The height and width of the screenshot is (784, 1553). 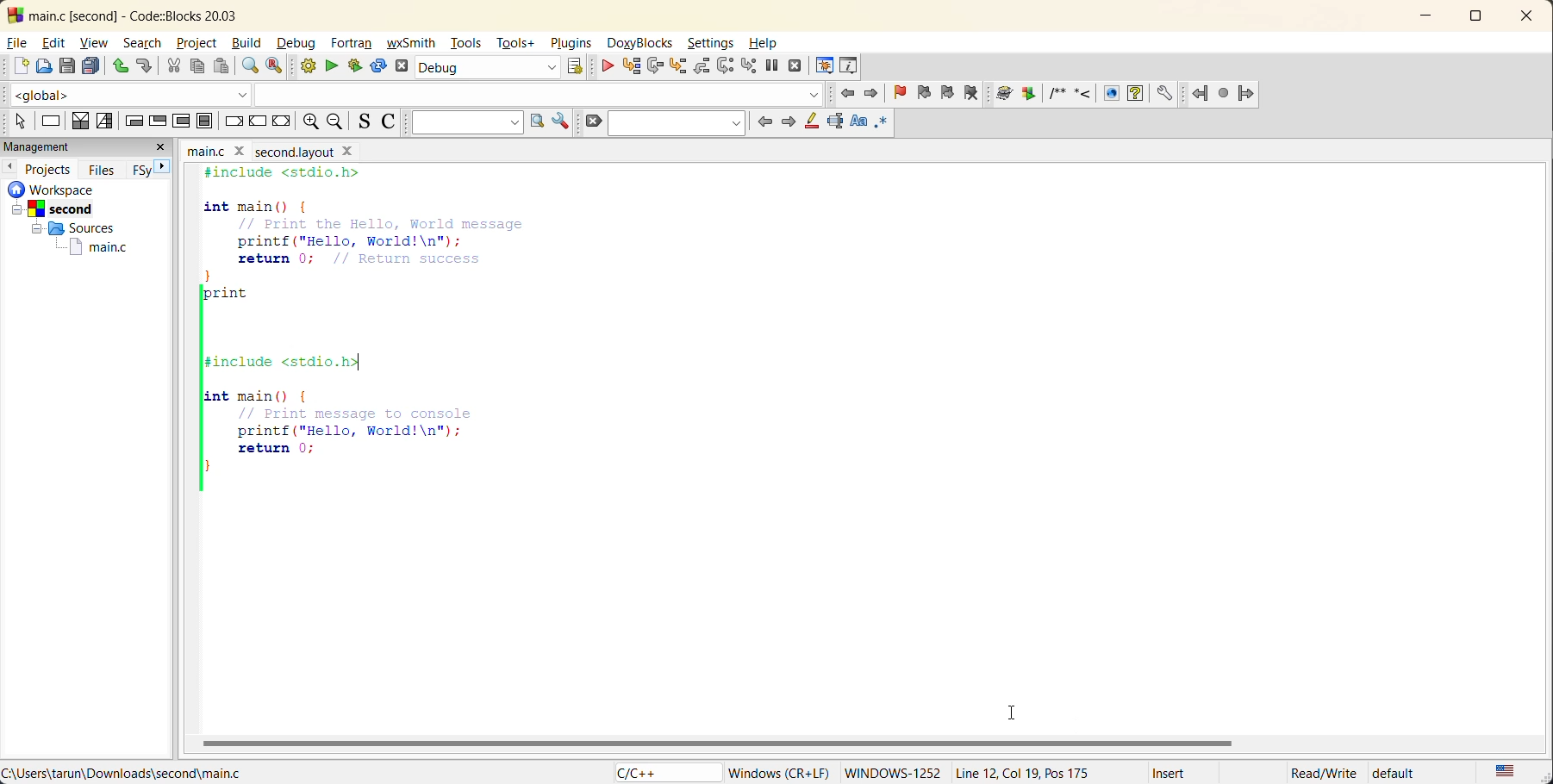 What do you see at coordinates (196, 64) in the screenshot?
I see `copy` at bounding box center [196, 64].